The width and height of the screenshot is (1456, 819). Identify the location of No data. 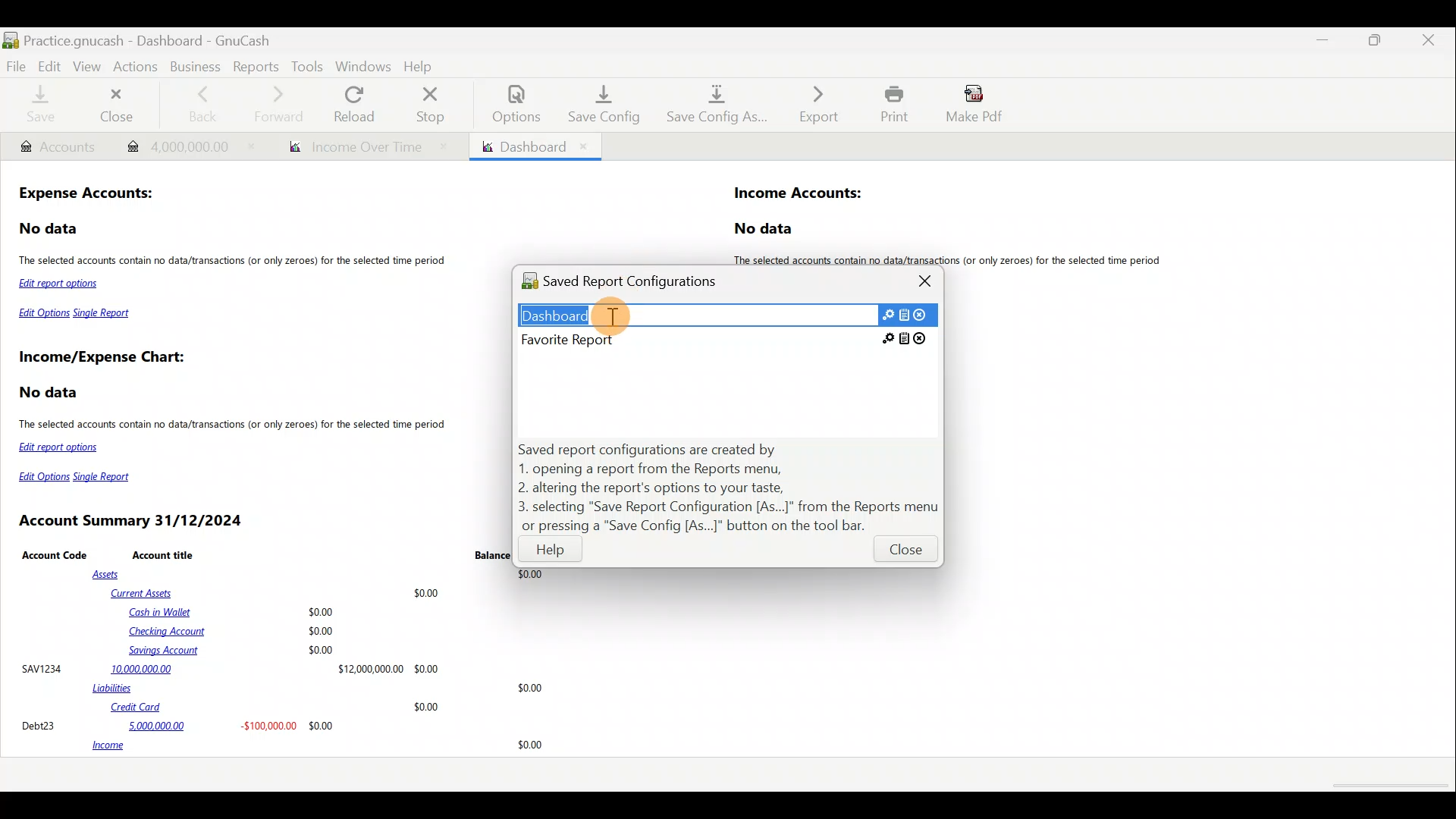
(766, 229).